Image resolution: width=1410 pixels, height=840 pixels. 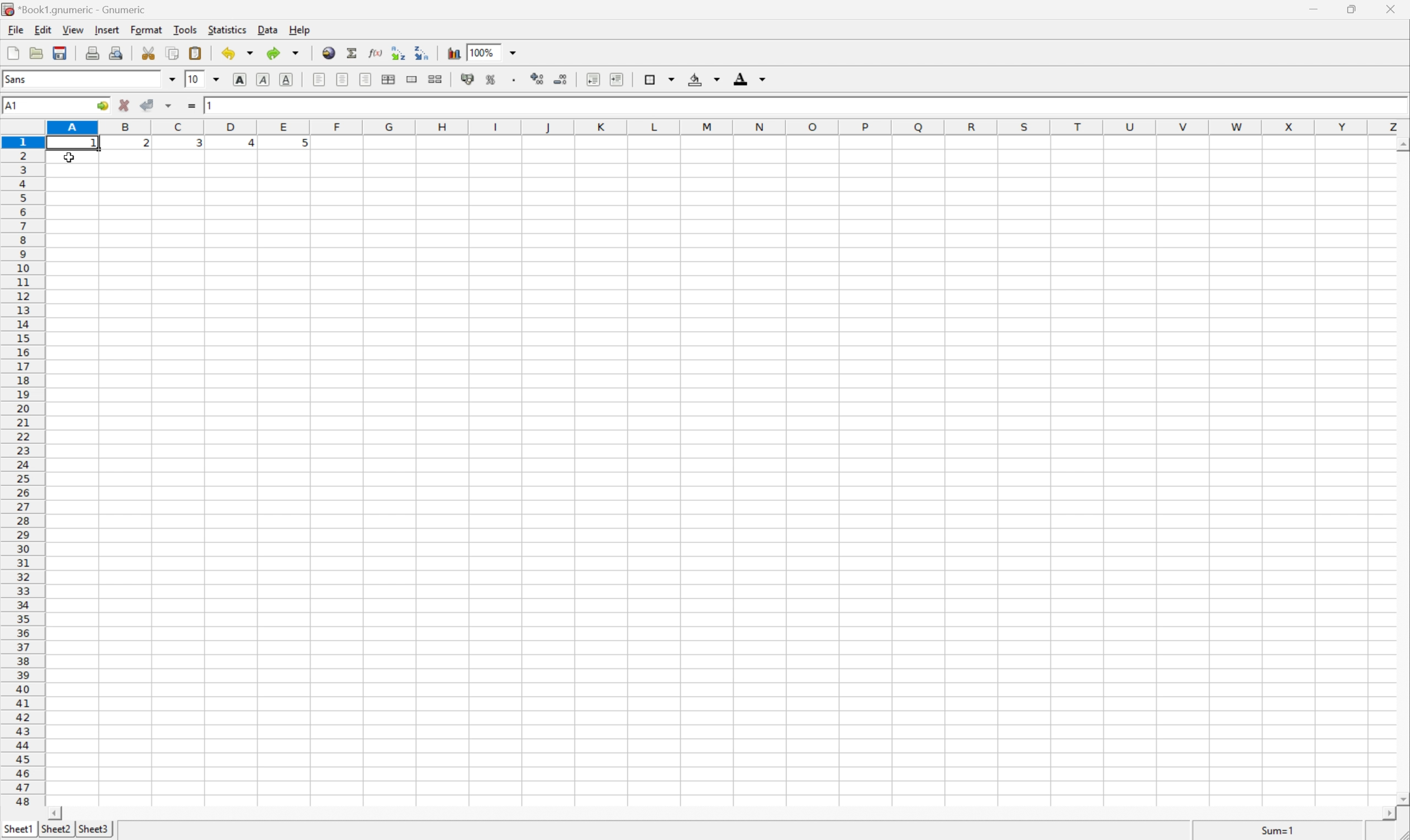 What do you see at coordinates (57, 832) in the screenshot?
I see `sheet2` at bounding box center [57, 832].